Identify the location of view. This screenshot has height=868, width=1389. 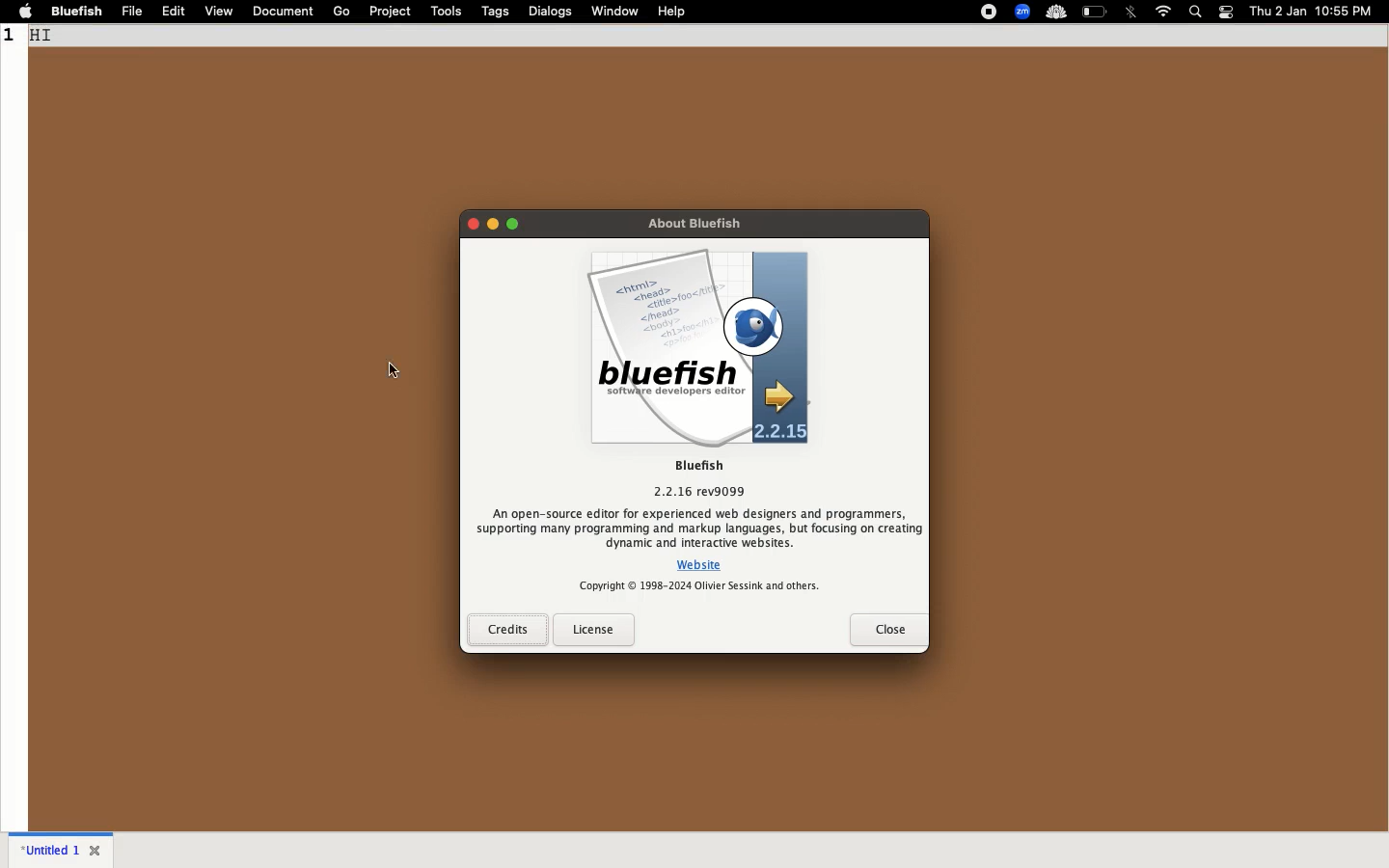
(220, 12).